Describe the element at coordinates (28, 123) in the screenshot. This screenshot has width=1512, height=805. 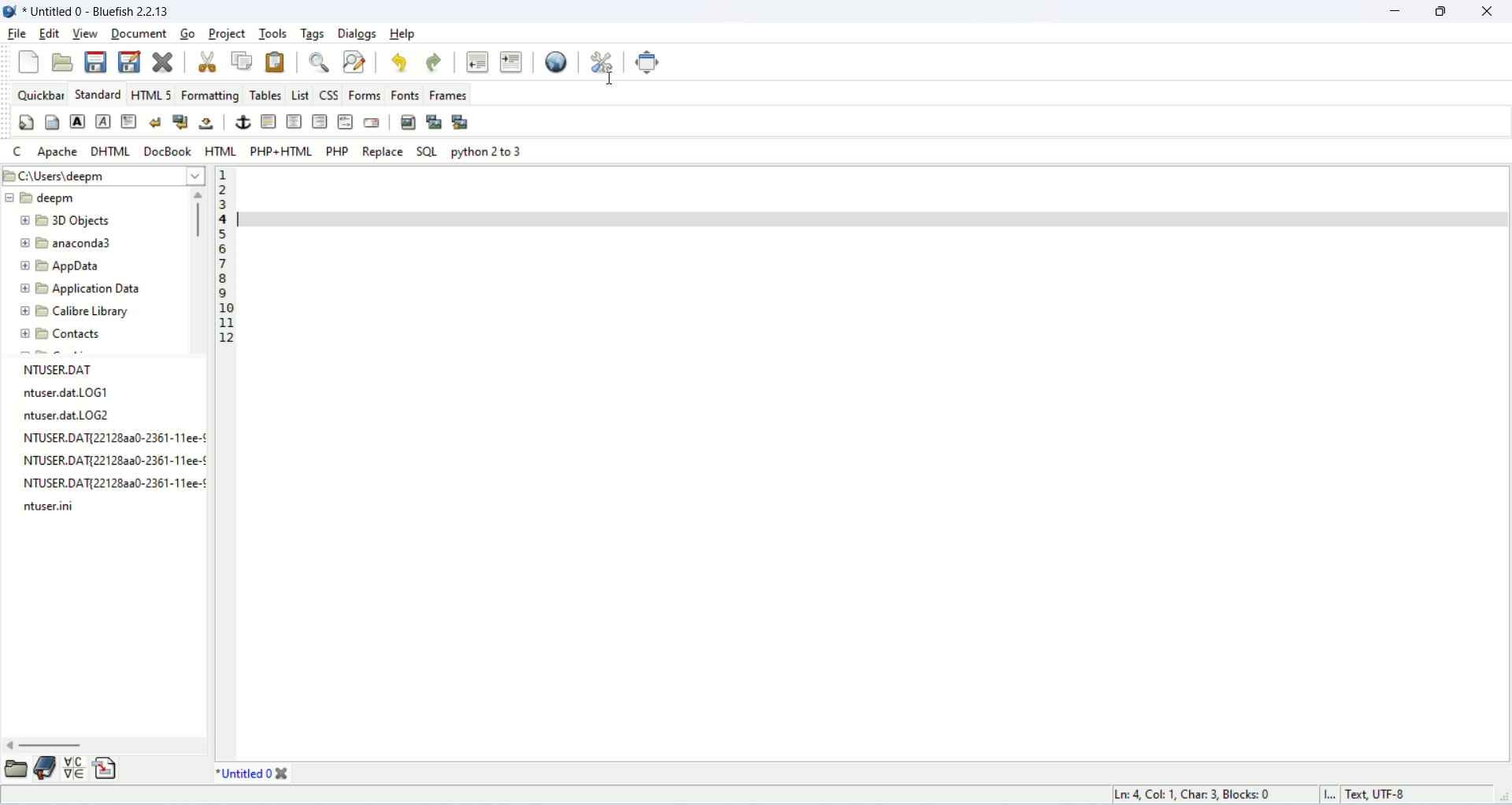
I see `quickstart` at that location.